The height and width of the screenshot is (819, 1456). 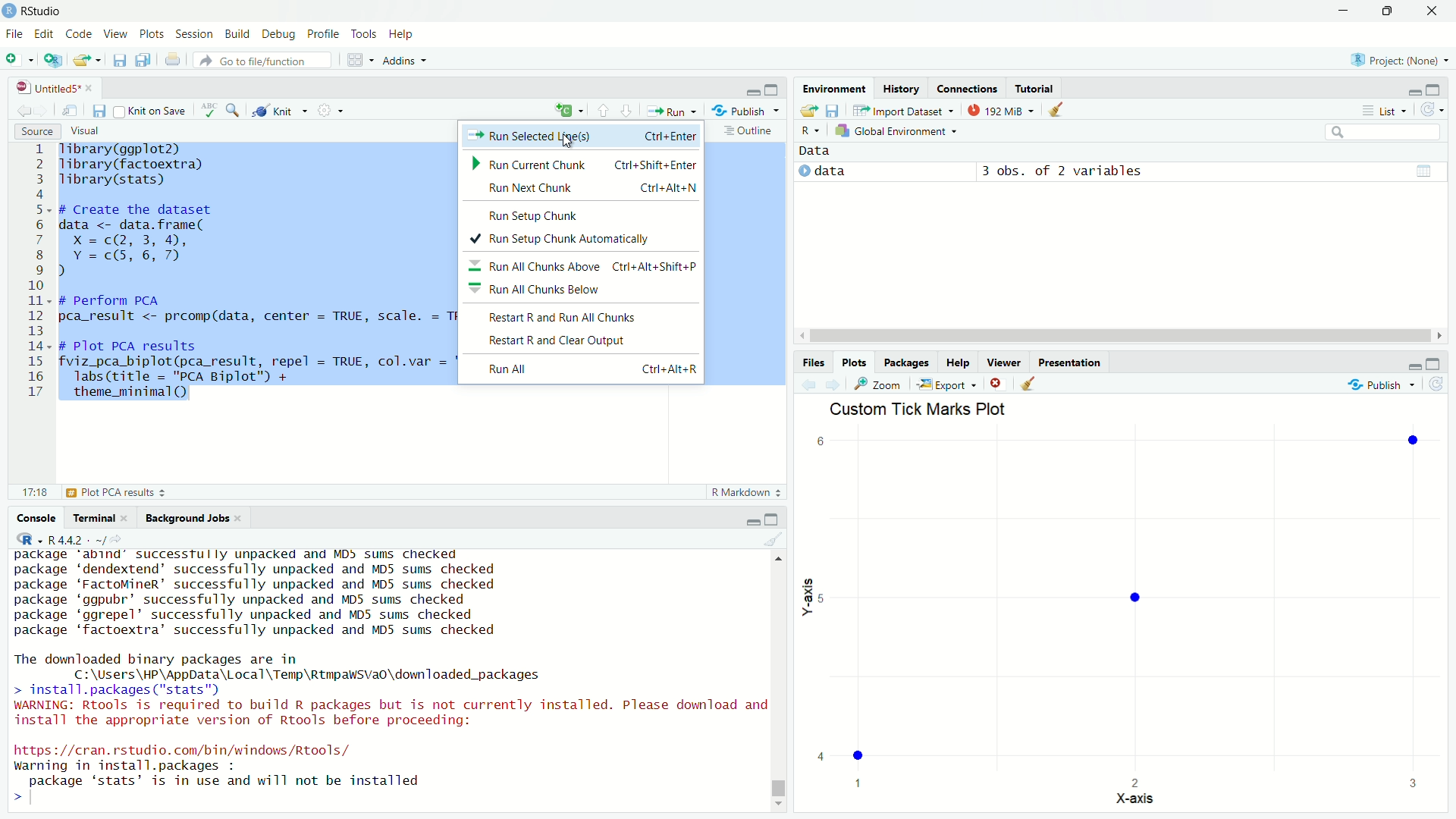 I want to click on save all open documents, so click(x=146, y=60).